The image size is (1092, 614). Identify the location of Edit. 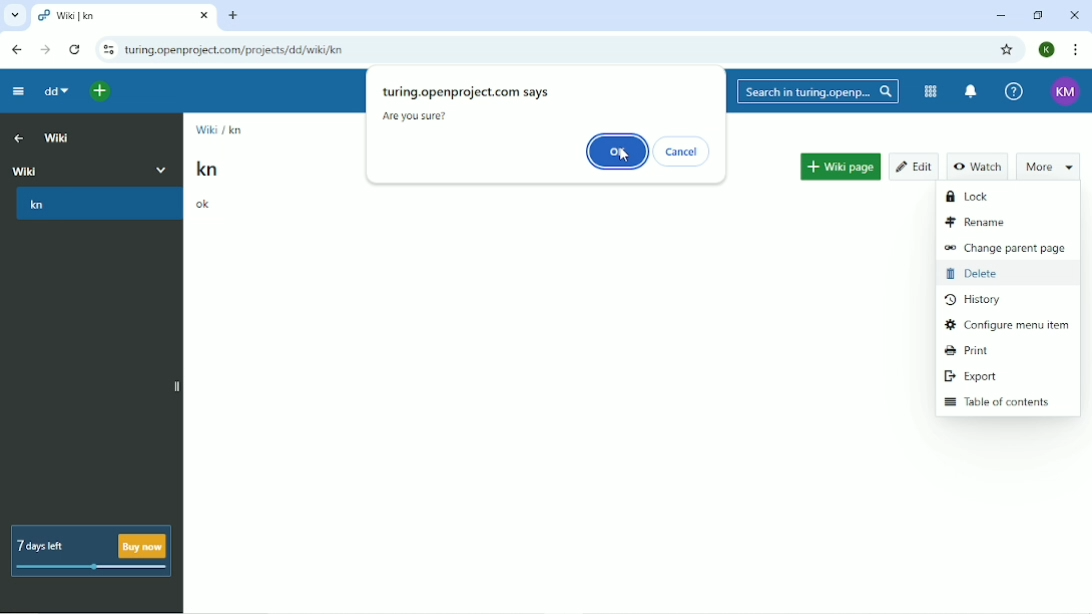
(915, 161).